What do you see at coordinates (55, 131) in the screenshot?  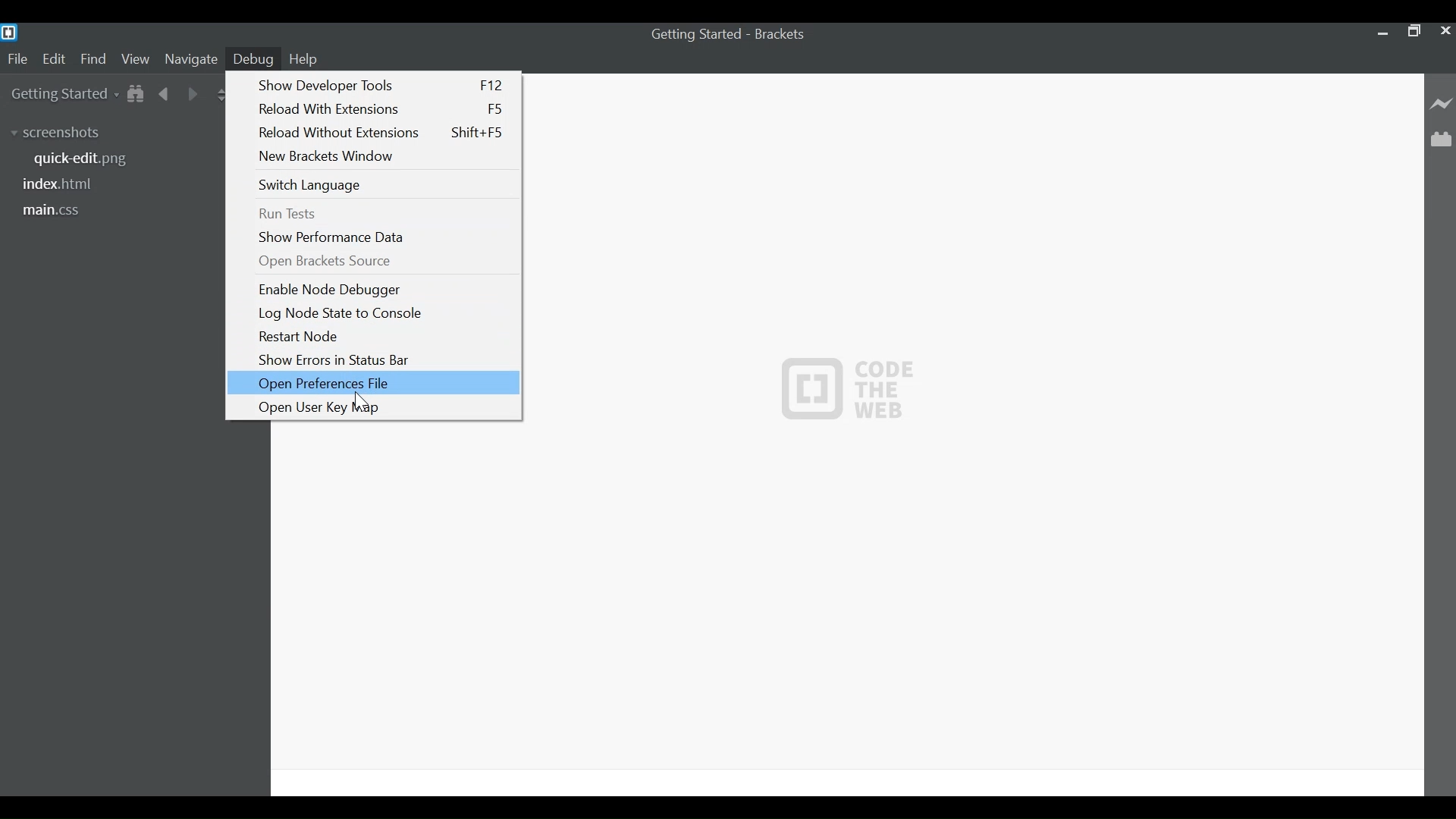 I see `screenshots` at bounding box center [55, 131].